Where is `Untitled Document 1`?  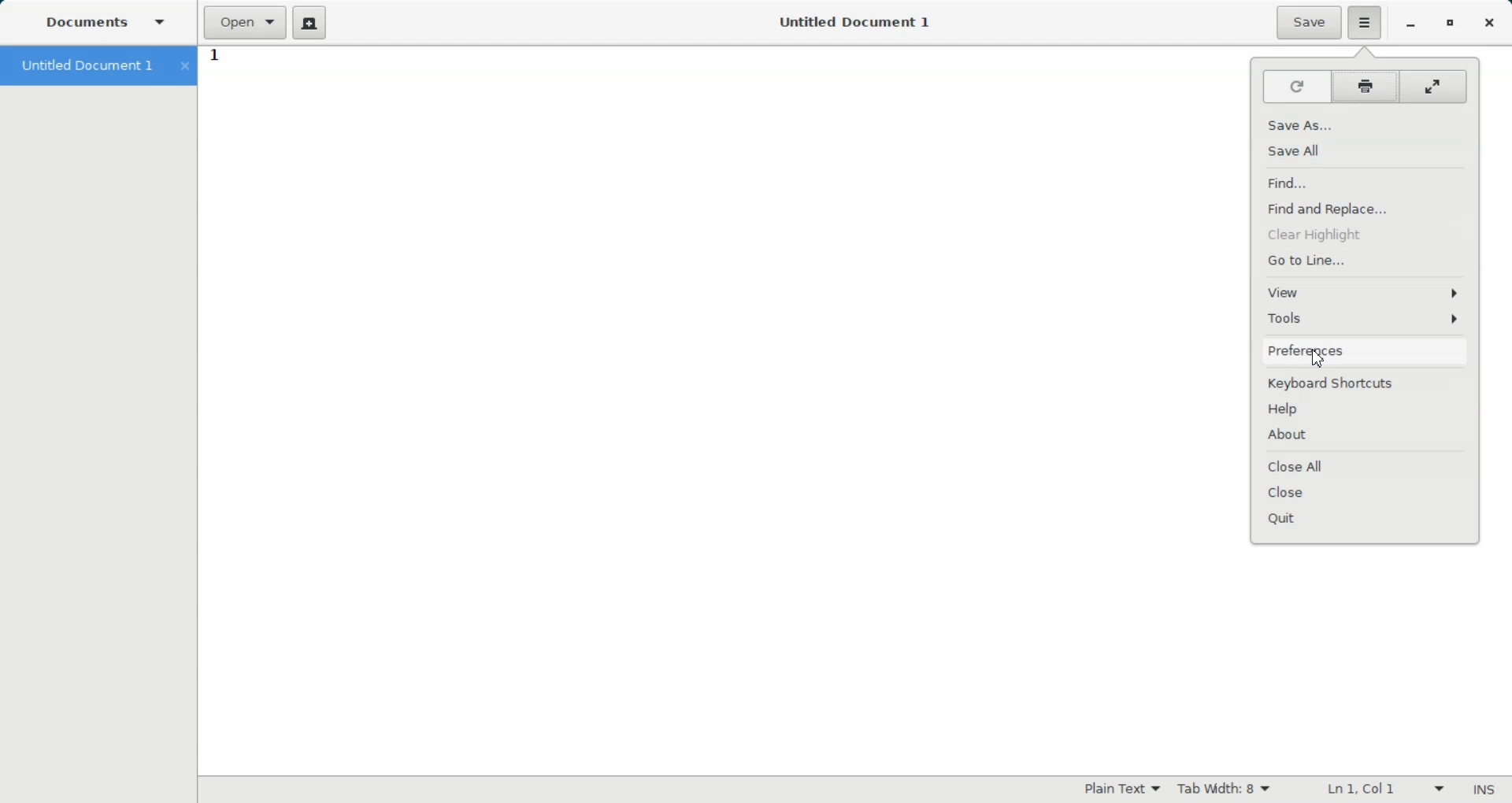
Untitled Document 1 is located at coordinates (845, 21).